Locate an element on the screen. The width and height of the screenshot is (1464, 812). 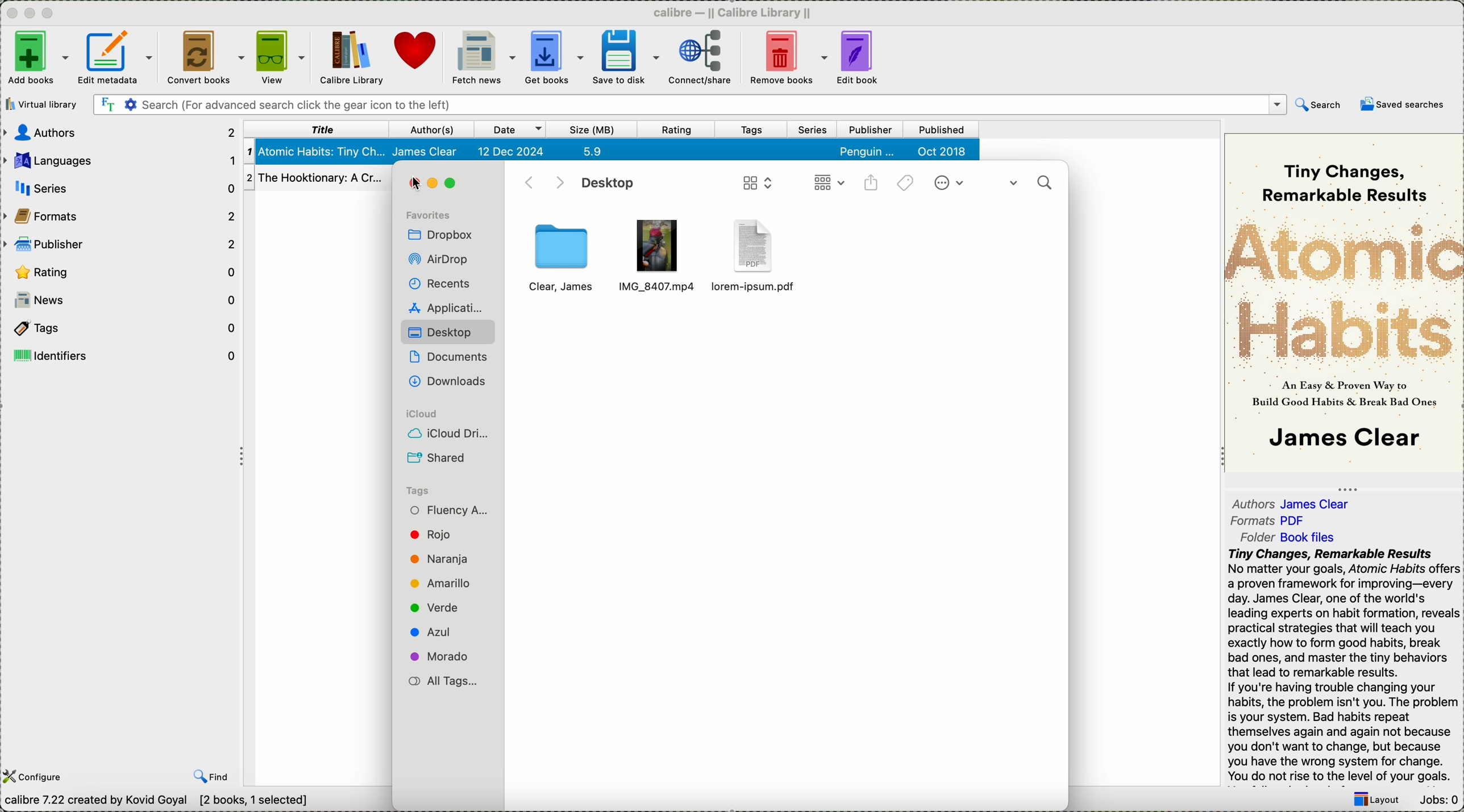
publisher is located at coordinates (120, 245).